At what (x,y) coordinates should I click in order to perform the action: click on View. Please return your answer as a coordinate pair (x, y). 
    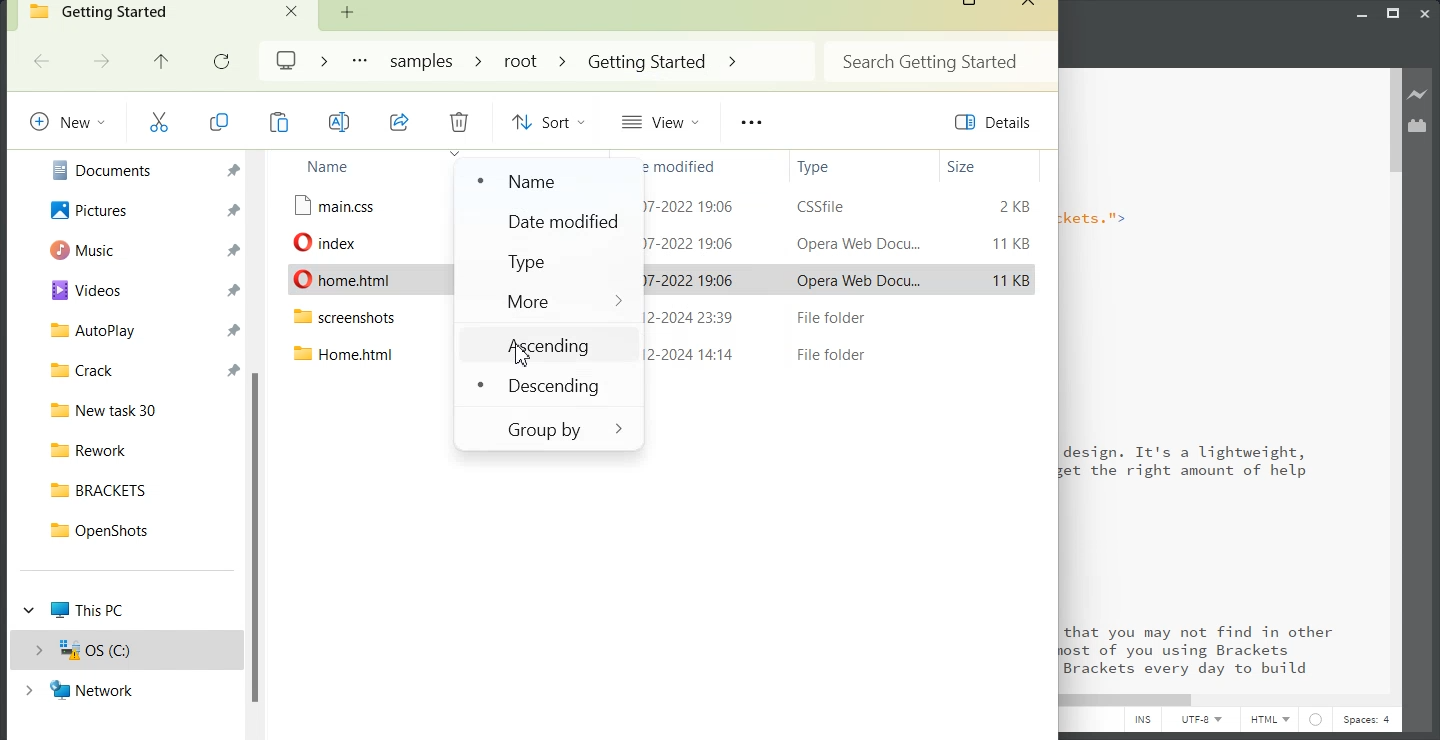
    Looking at the image, I should click on (665, 121).